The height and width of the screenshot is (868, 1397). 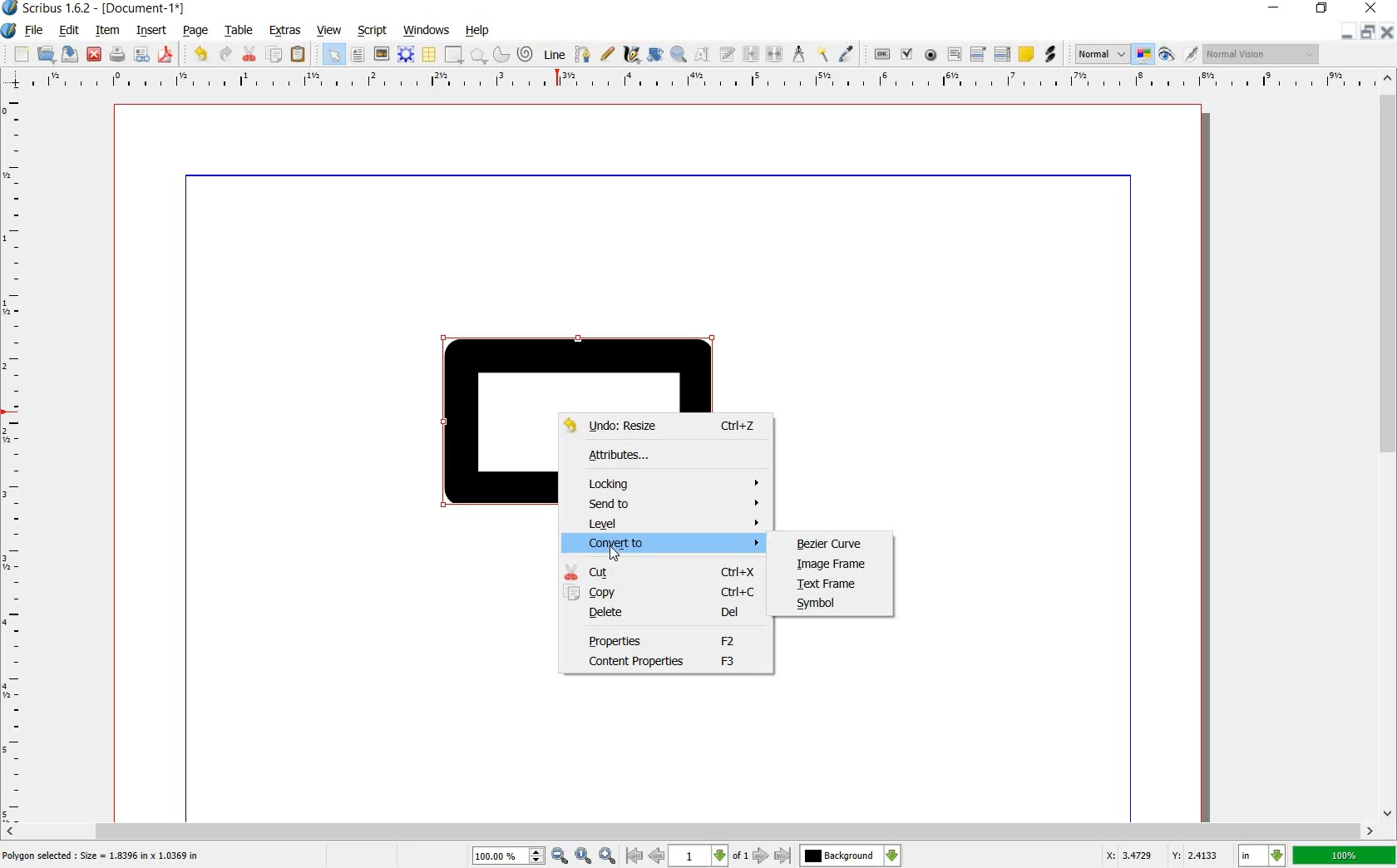 What do you see at coordinates (68, 31) in the screenshot?
I see `edit` at bounding box center [68, 31].